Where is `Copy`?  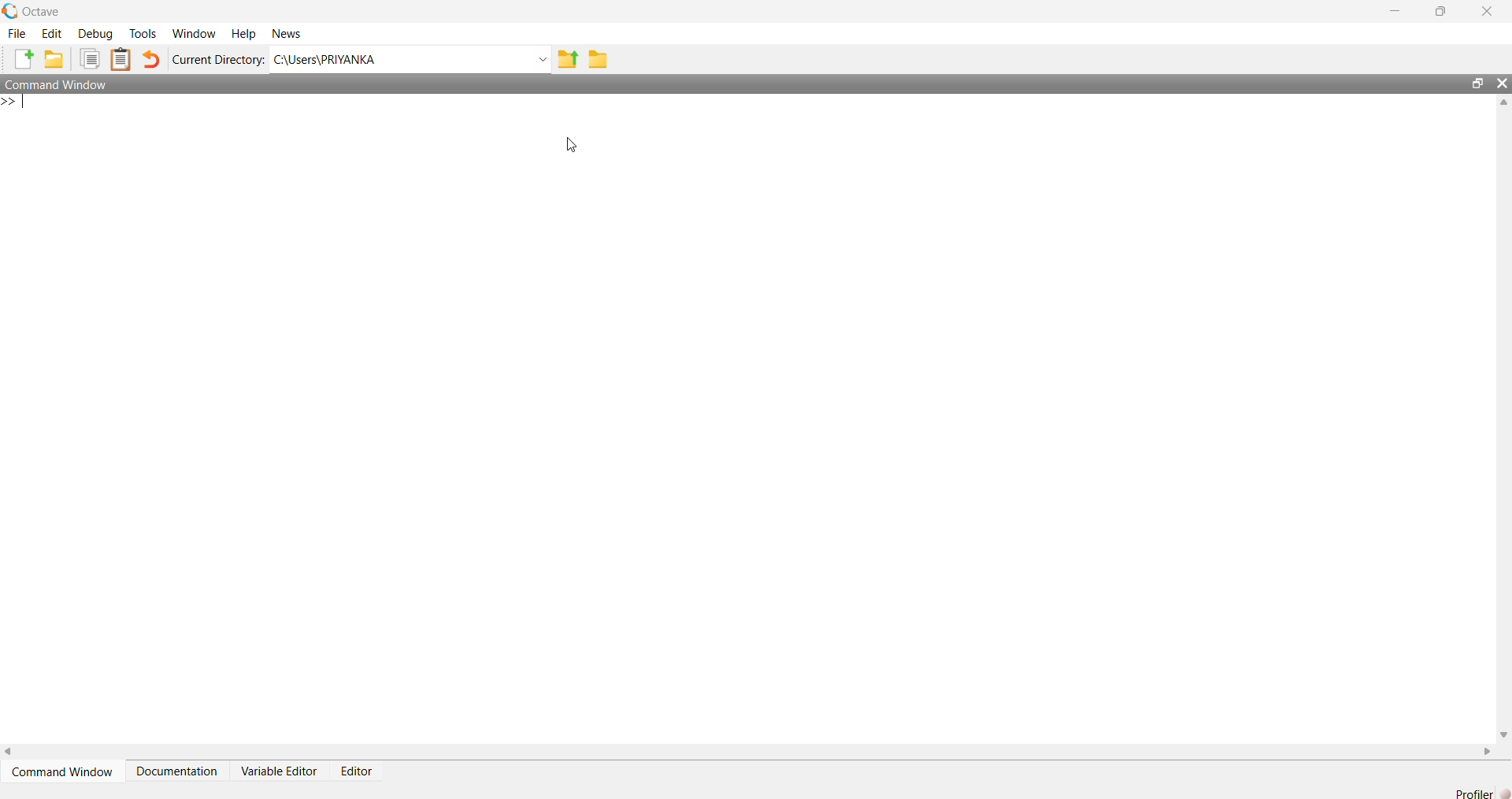
Copy is located at coordinates (88, 59).